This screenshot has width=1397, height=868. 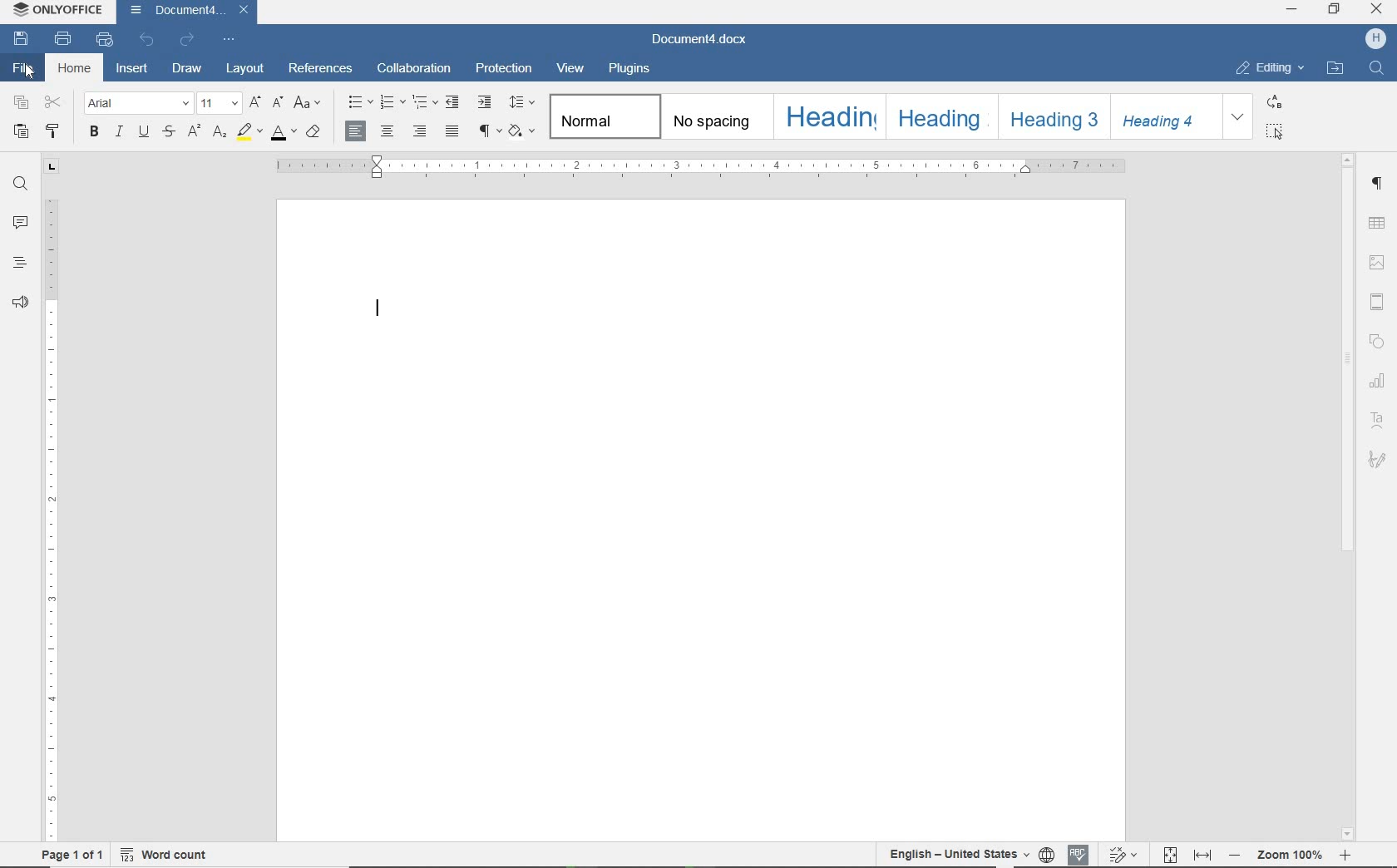 I want to click on redo, so click(x=189, y=42).